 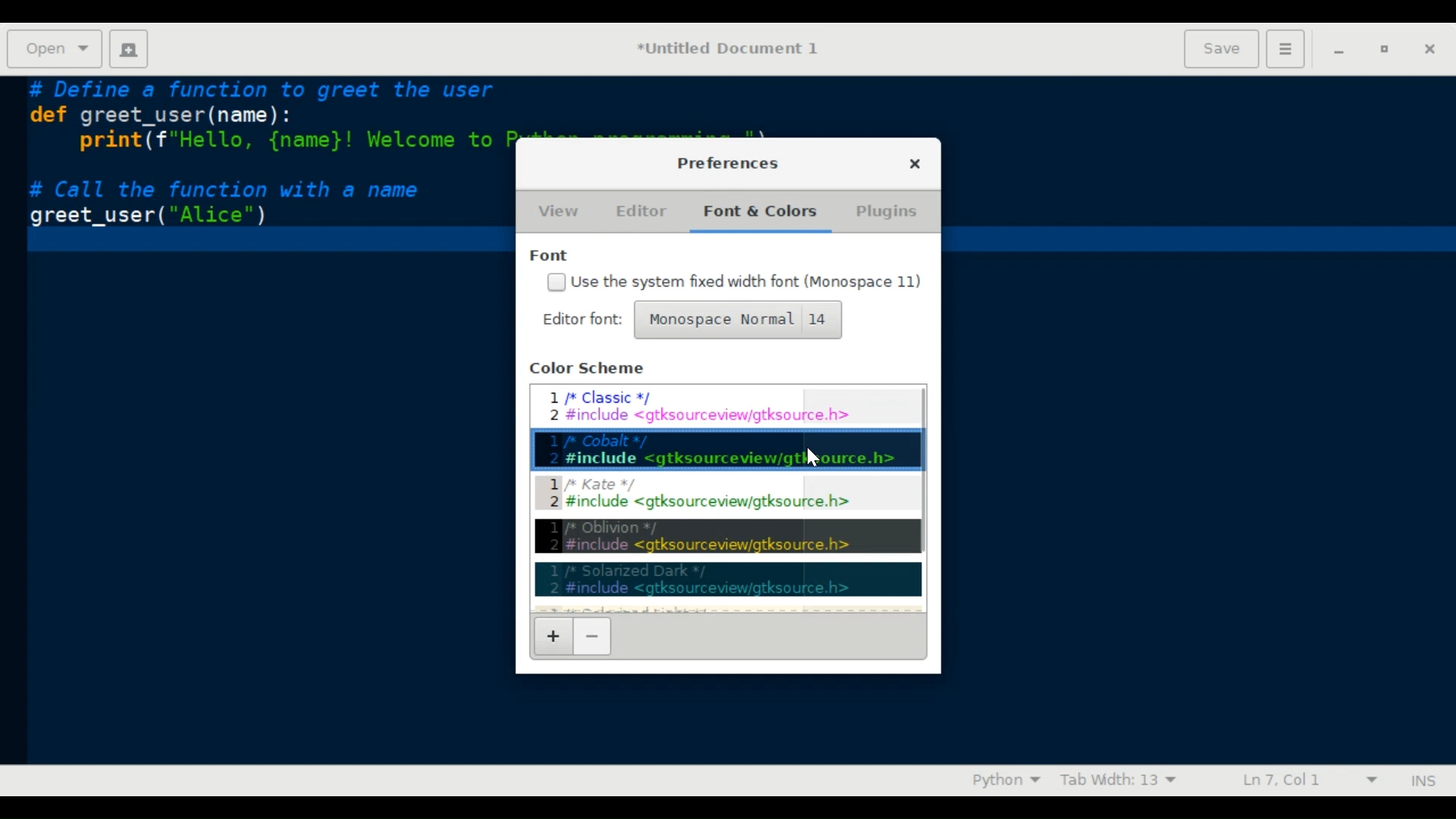 I want to click on Fonts & Colors, so click(x=758, y=214).